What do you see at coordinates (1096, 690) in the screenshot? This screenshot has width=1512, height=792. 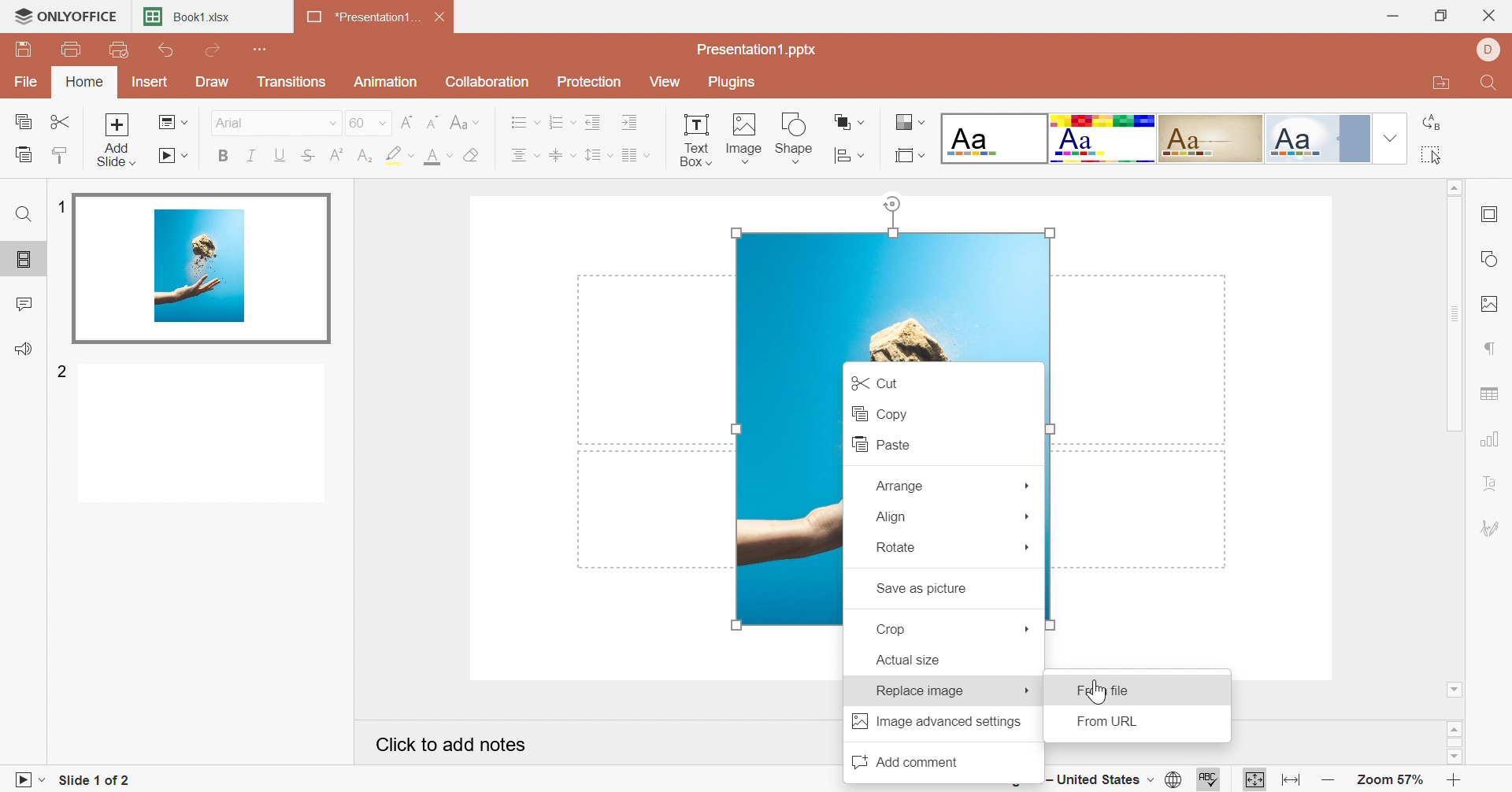 I see `Cursor` at bounding box center [1096, 690].